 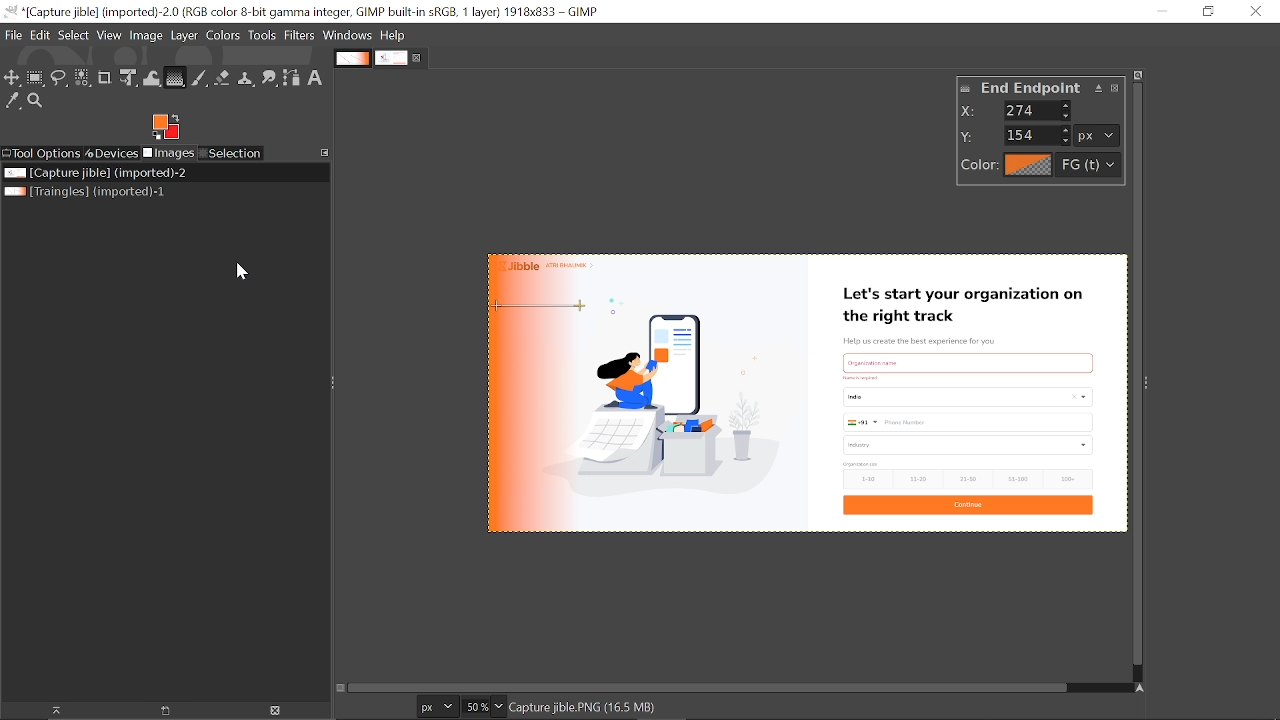 What do you see at coordinates (96, 173) in the screenshot?
I see `Current file` at bounding box center [96, 173].